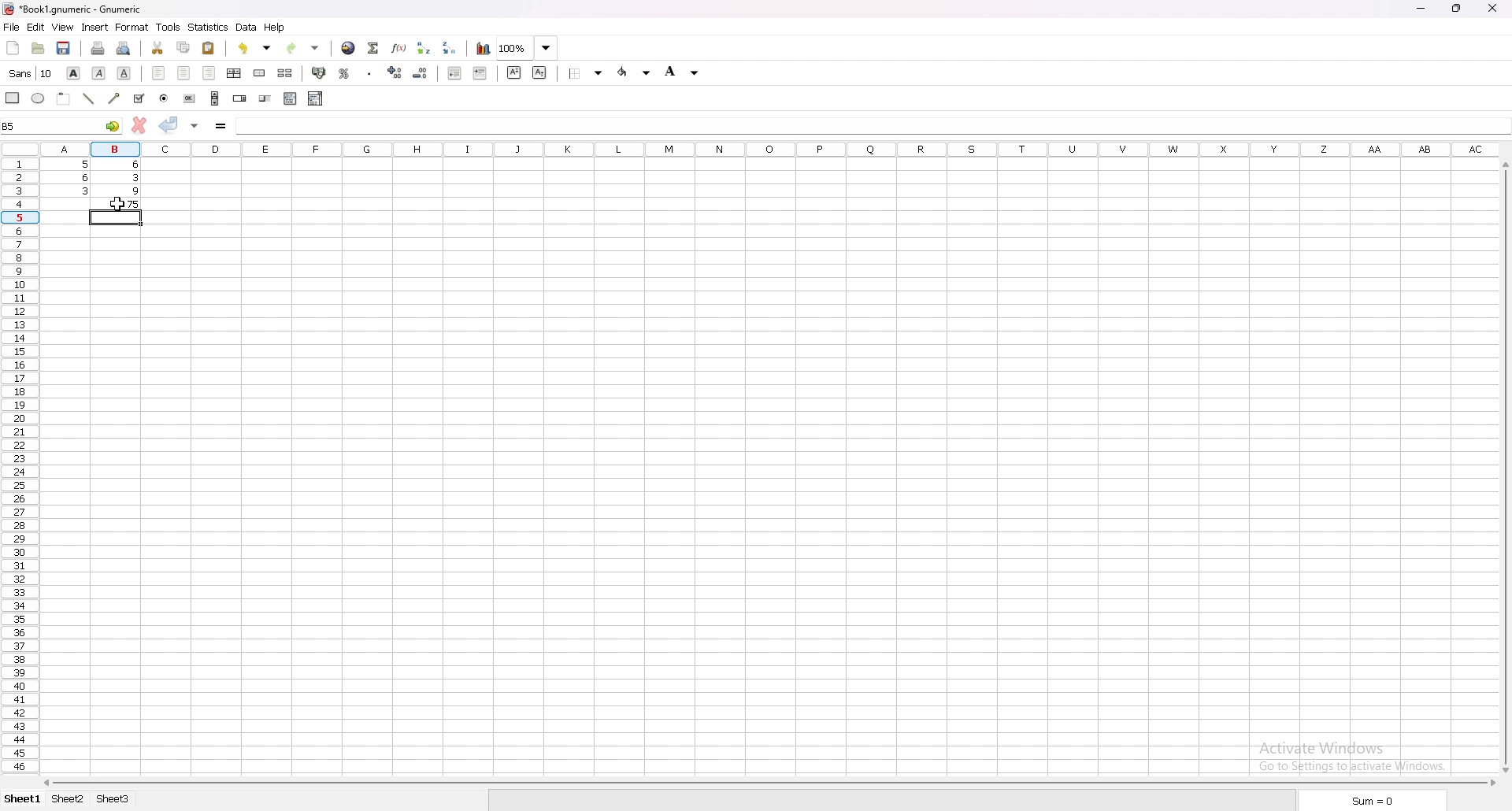 The image size is (1512, 811). Describe the element at coordinates (190, 98) in the screenshot. I see `button` at that location.